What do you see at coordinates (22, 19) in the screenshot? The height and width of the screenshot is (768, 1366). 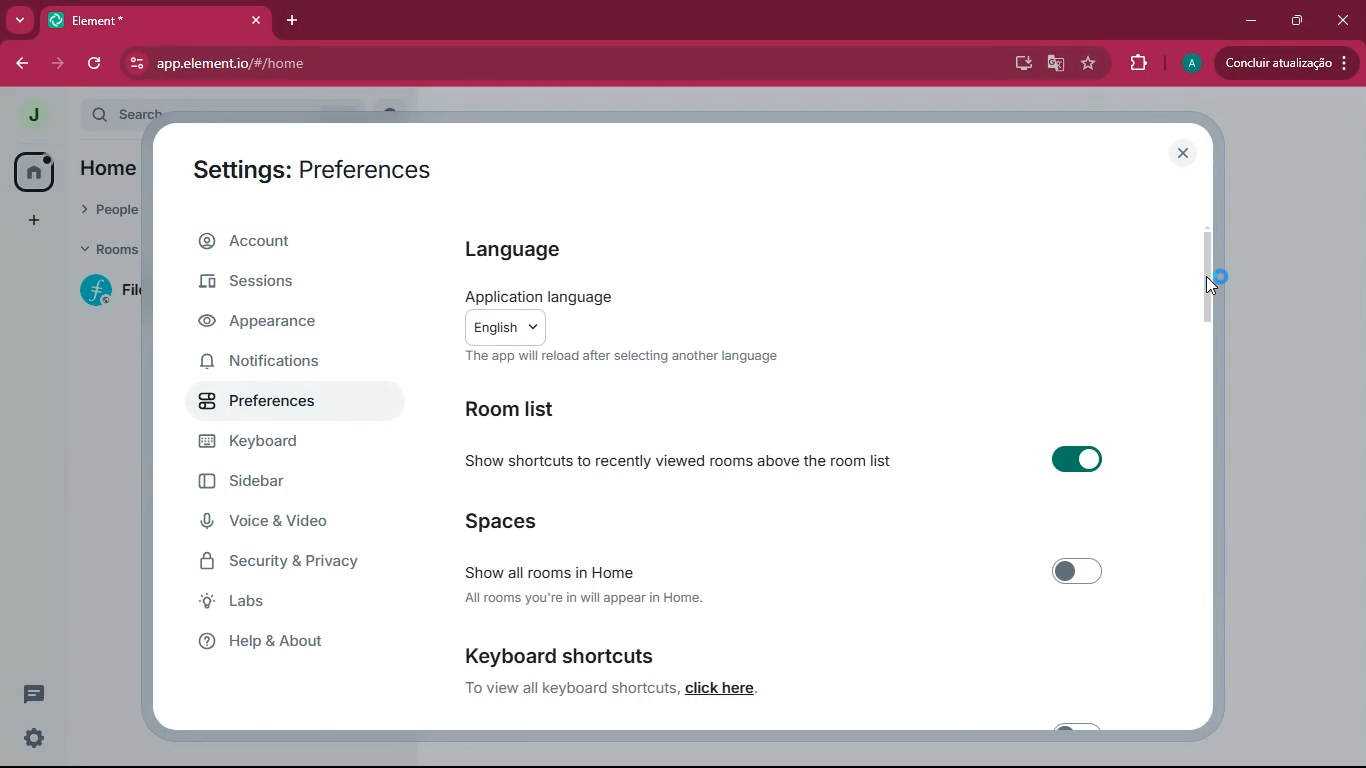 I see `more` at bounding box center [22, 19].